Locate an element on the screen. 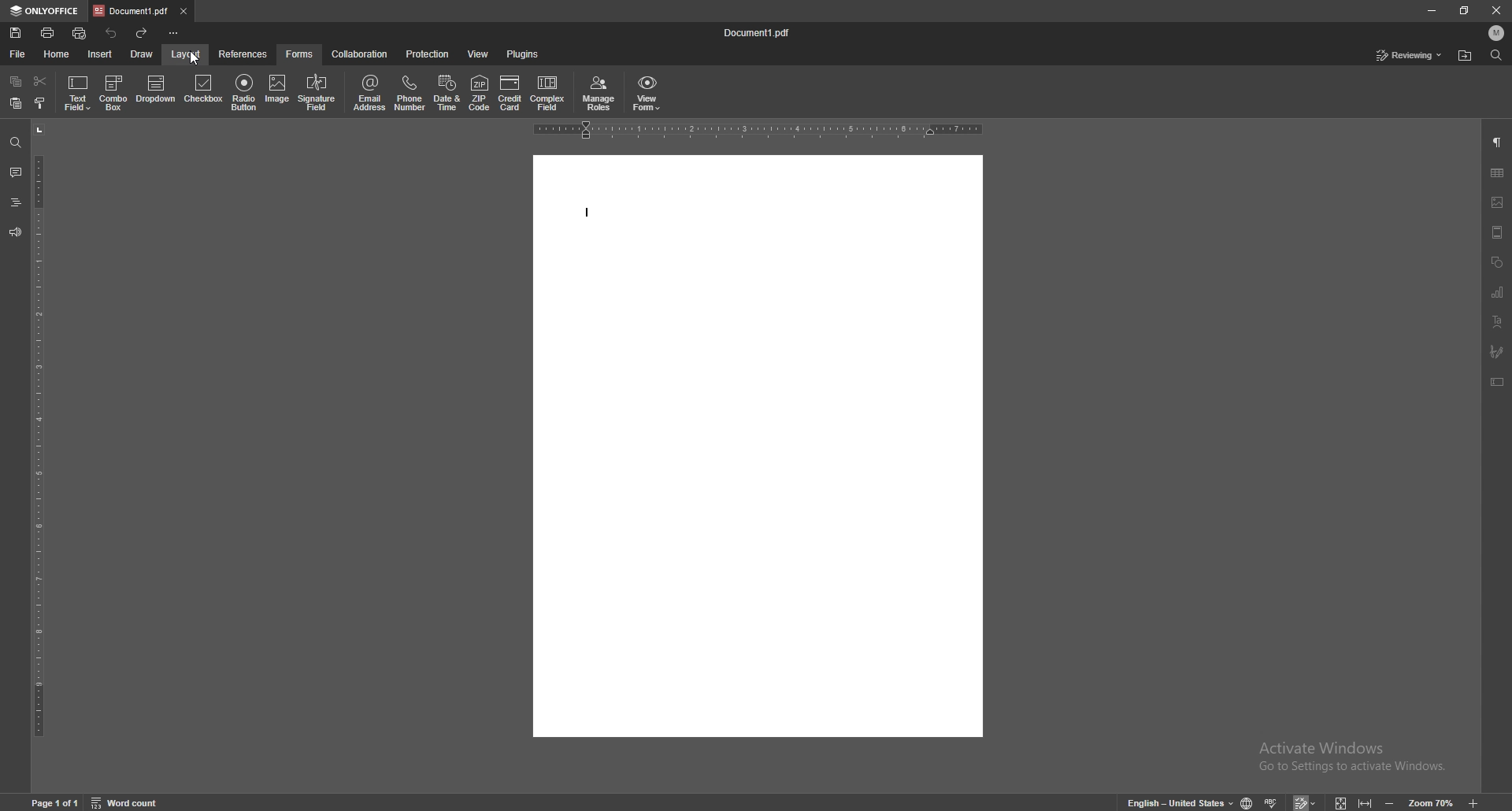 Image resolution: width=1512 pixels, height=811 pixels. quick print is located at coordinates (79, 33).